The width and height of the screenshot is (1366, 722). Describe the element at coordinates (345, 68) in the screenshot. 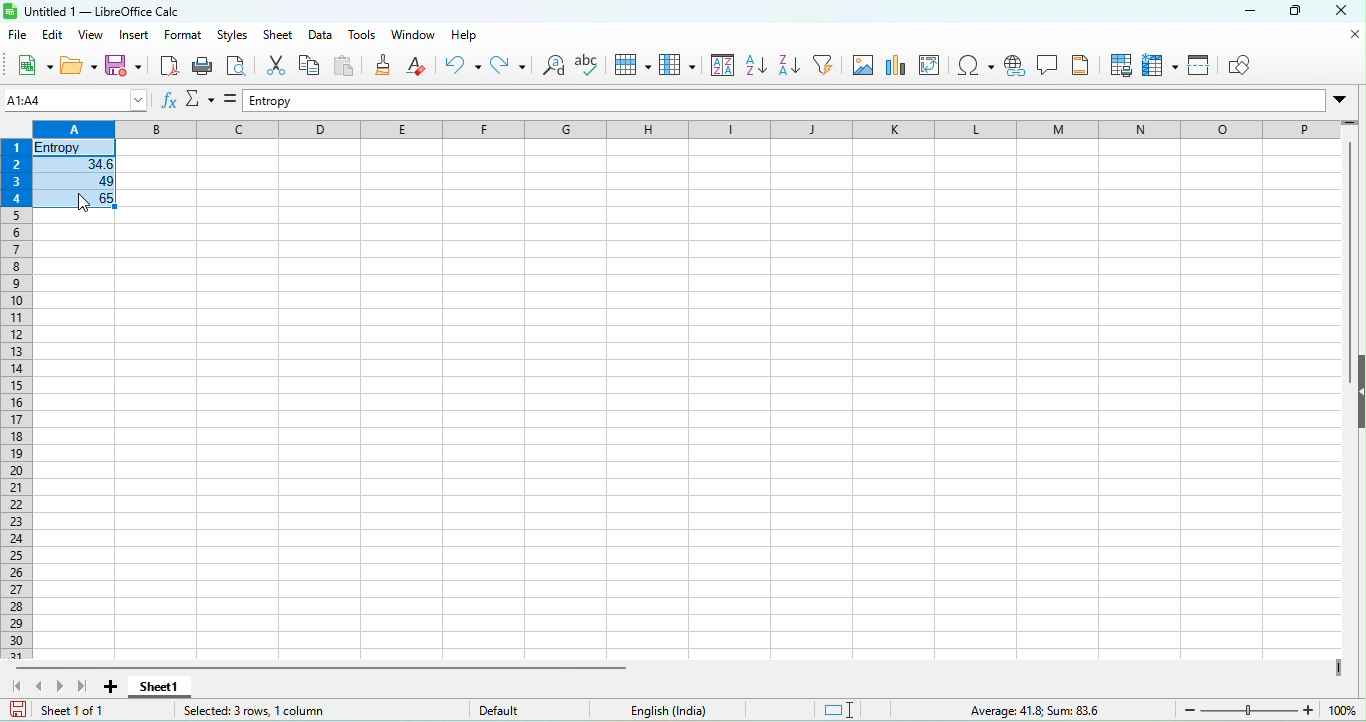

I see `paste` at that location.